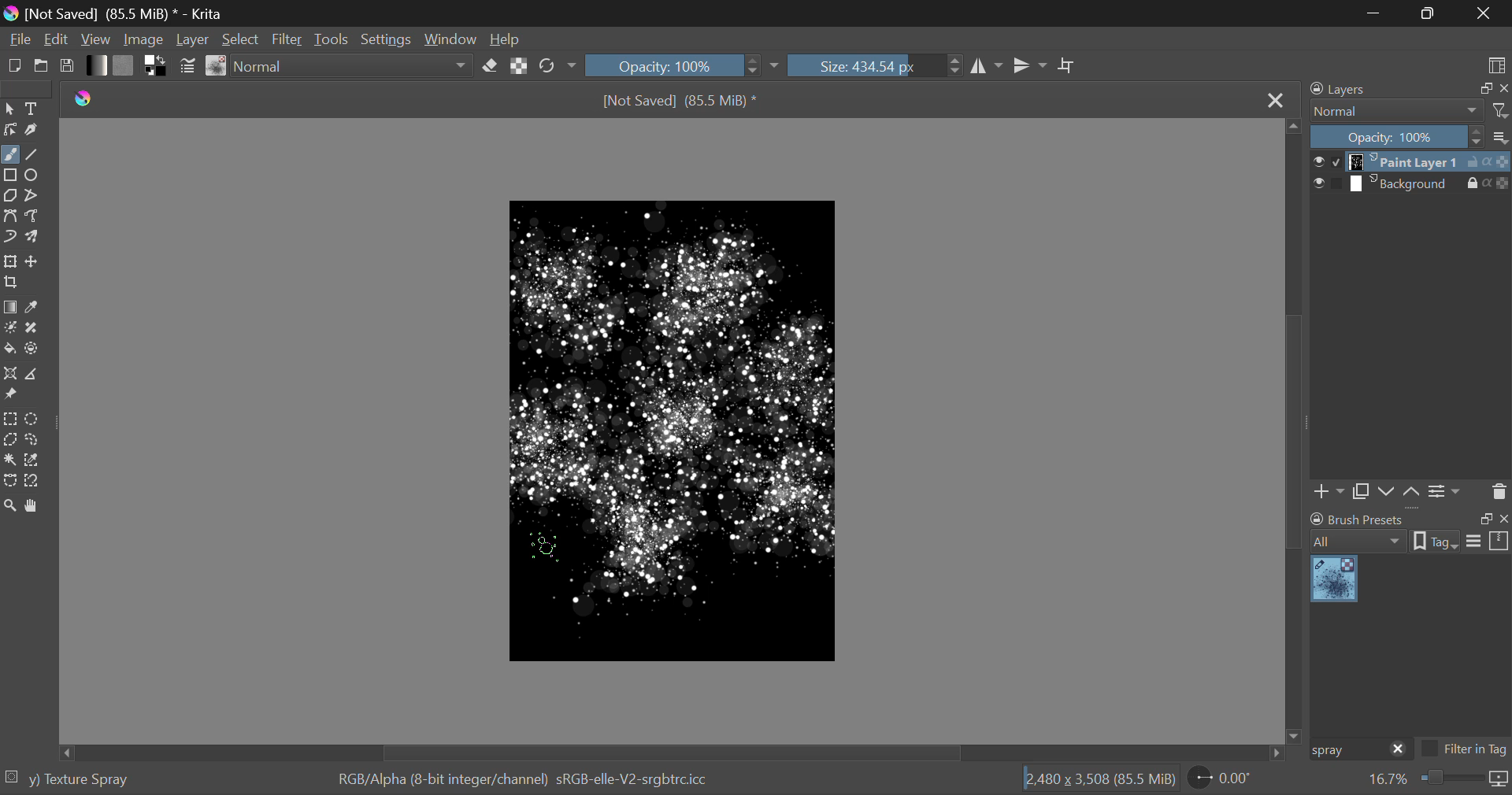  Describe the element at coordinates (13, 283) in the screenshot. I see `Crop Layer` at that location.